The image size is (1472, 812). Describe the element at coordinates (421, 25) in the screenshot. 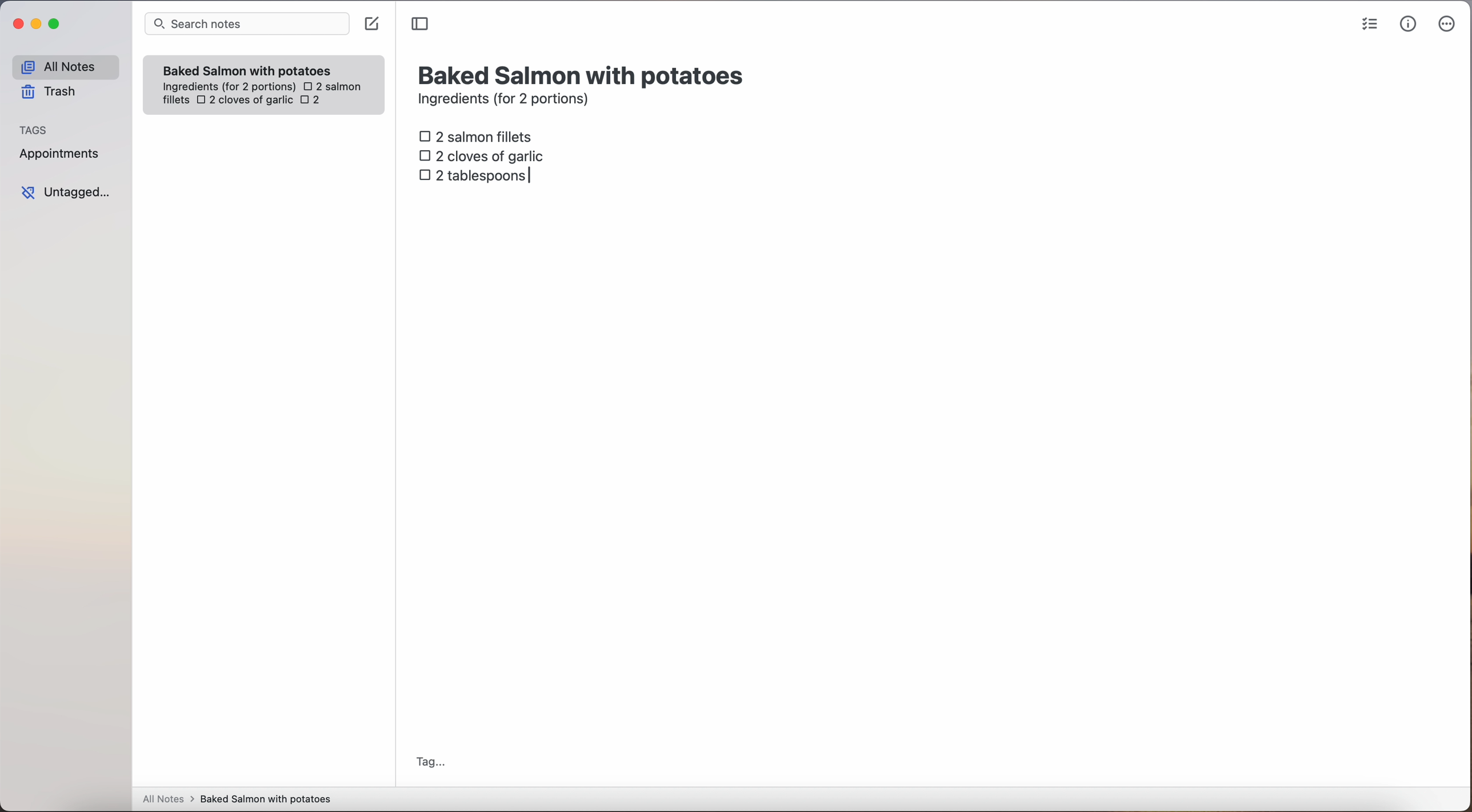

I see `toggle sidebar` at that location.